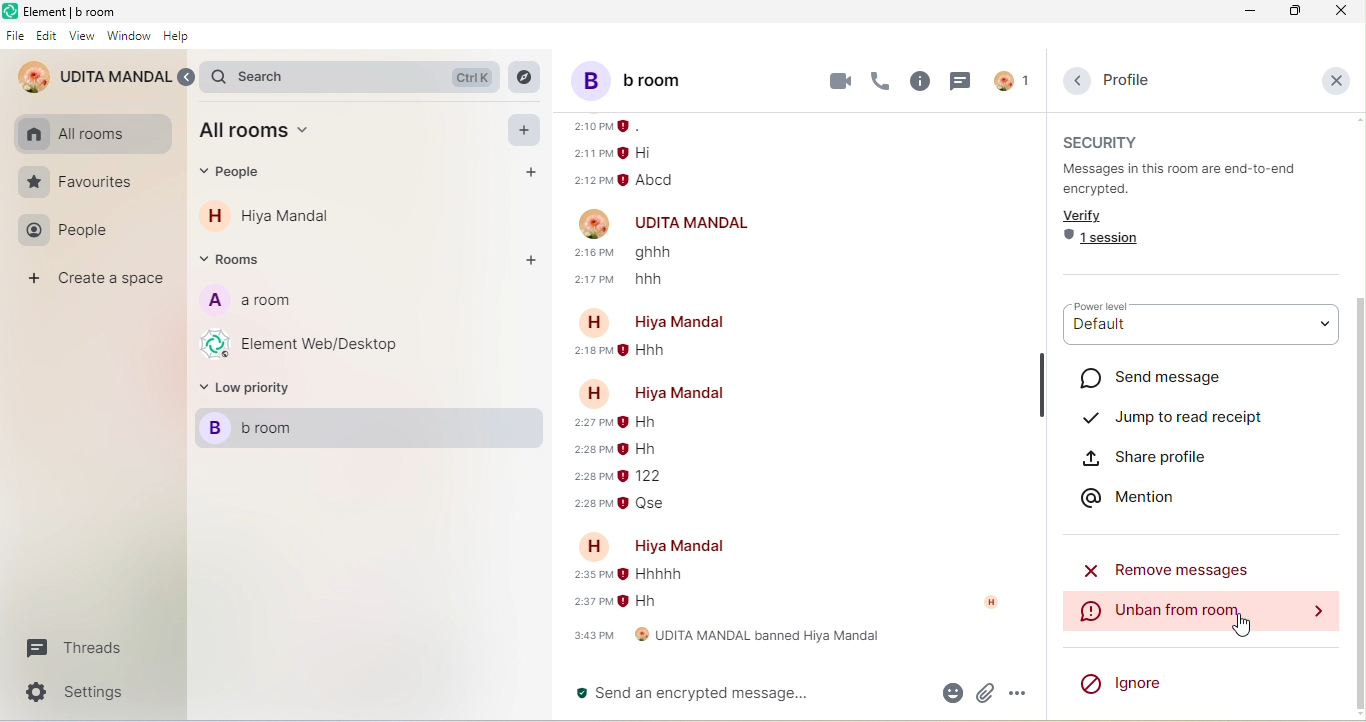 The width and height of the screenshot is (1366, 722). What do you see at coordinates (744, 694) in the screenshot?
I see `send an encrypted message` at bounding box center [744, 694].